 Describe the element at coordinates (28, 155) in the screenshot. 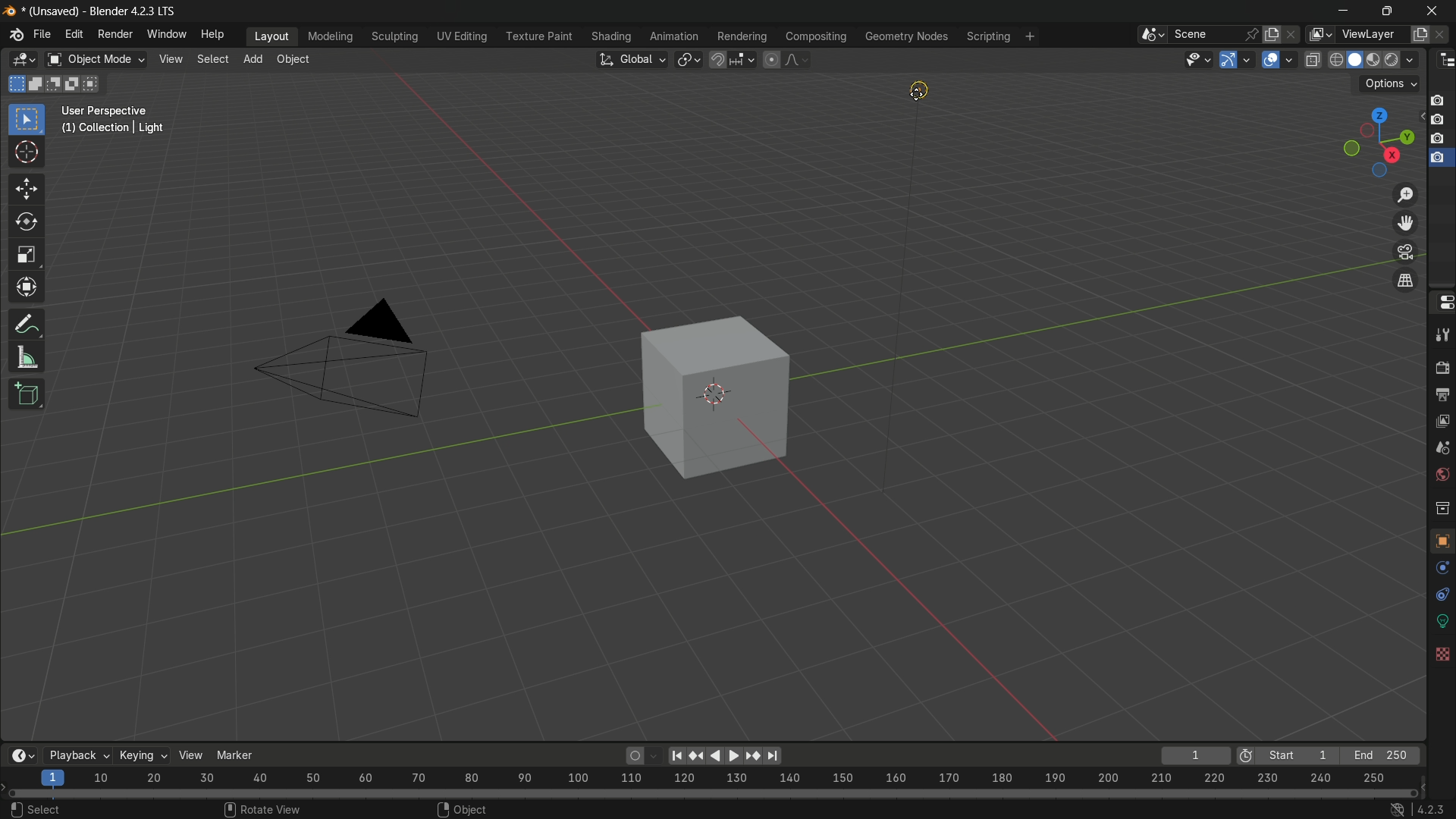

I see `cursor` at that location.